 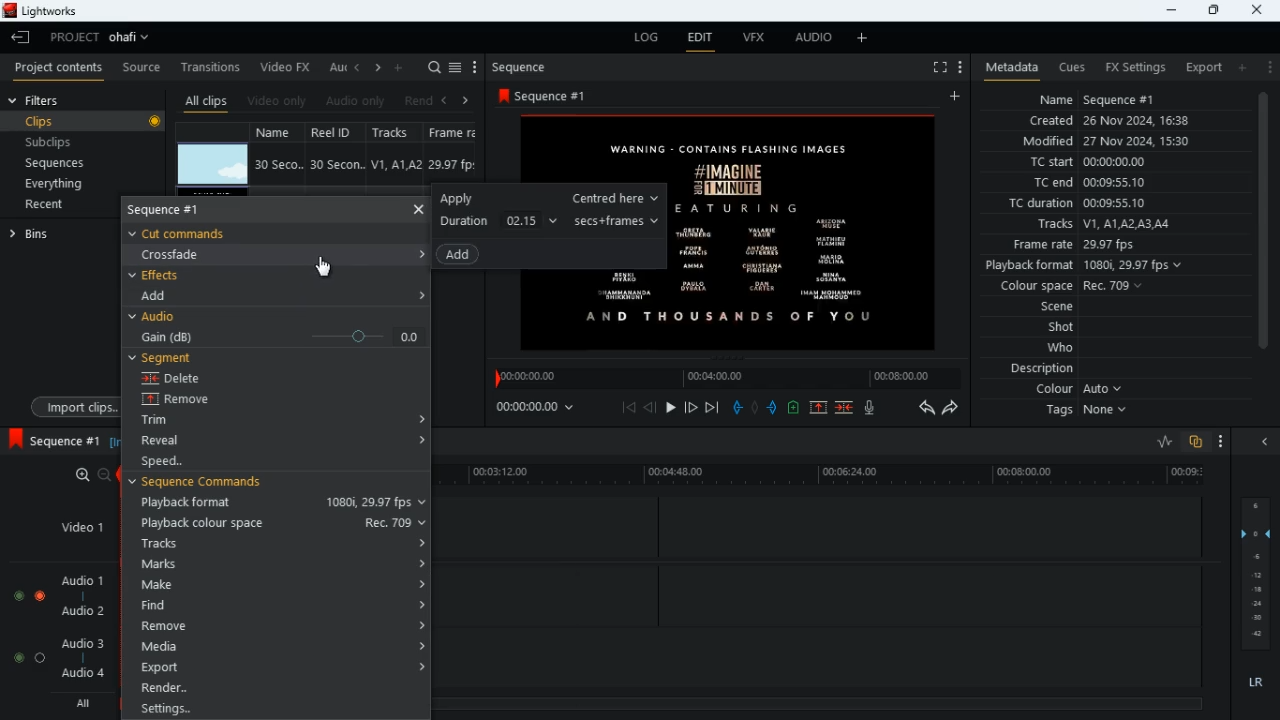 What do you see at coordinates (188, 378) in the screenshot?
I see `delete` at bounding box center [188, 378].